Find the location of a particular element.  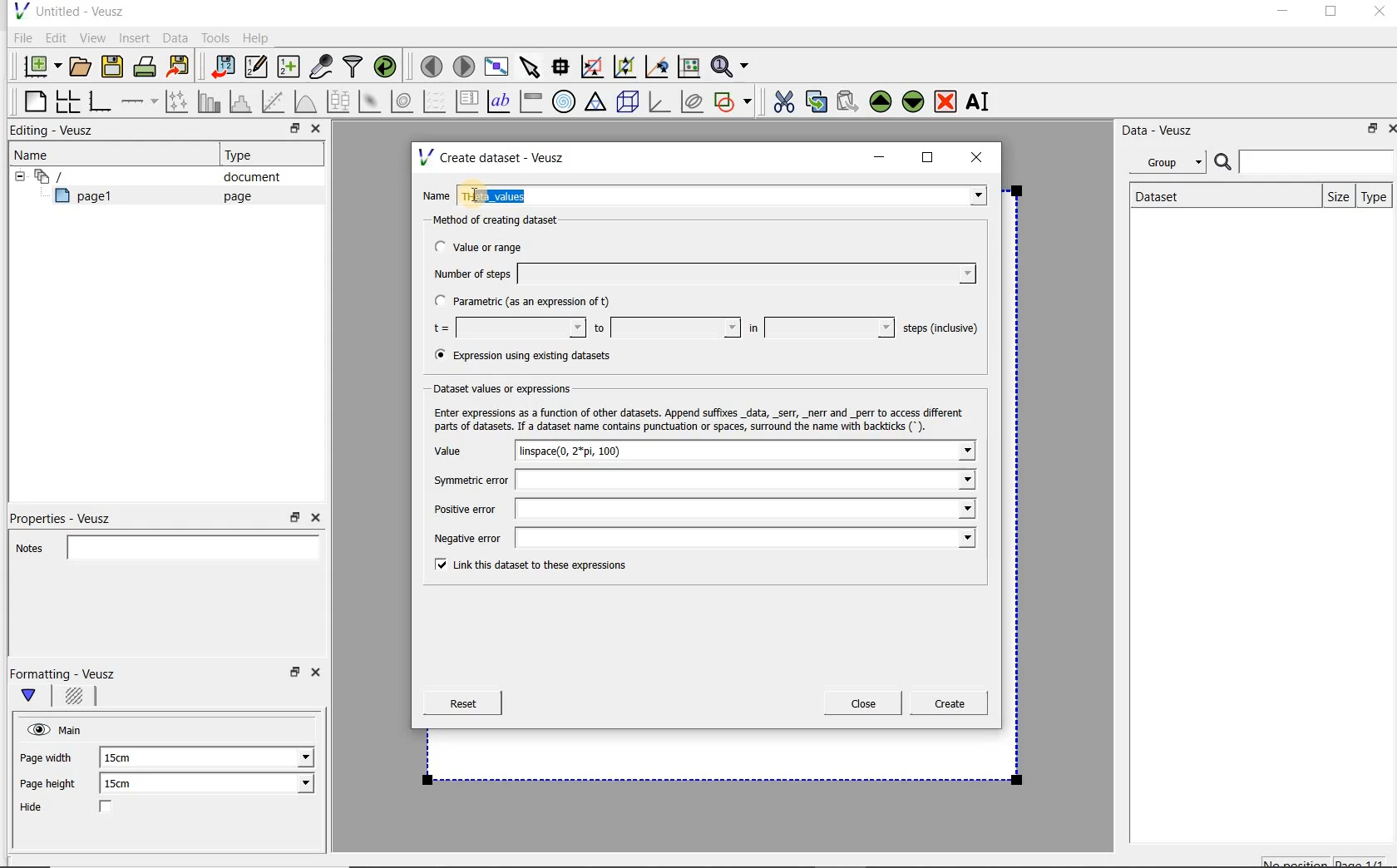

page1 is located at coordinates (91, 199).